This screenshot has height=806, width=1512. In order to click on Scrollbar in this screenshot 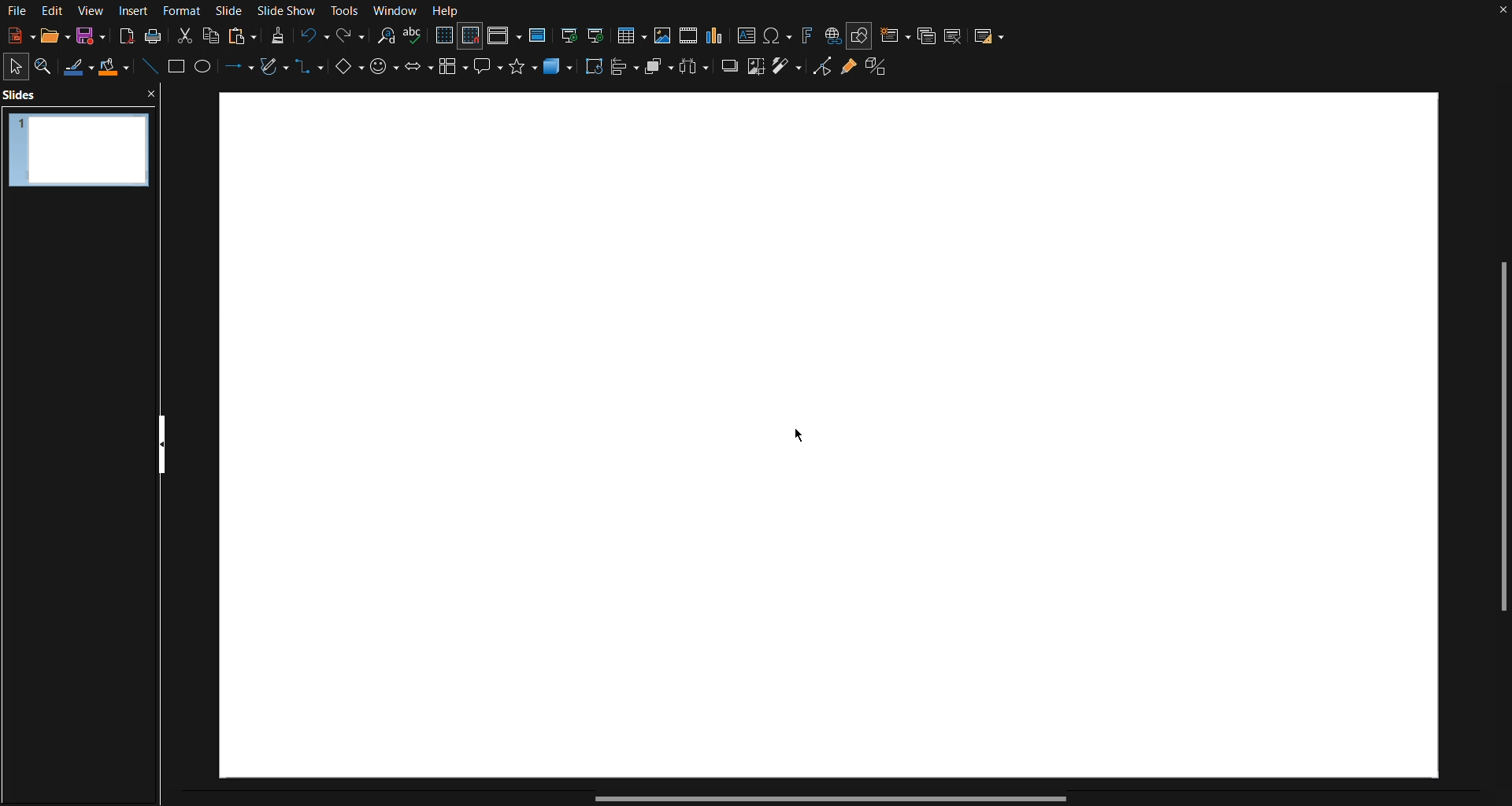, I will do `click(1498, 442)`.